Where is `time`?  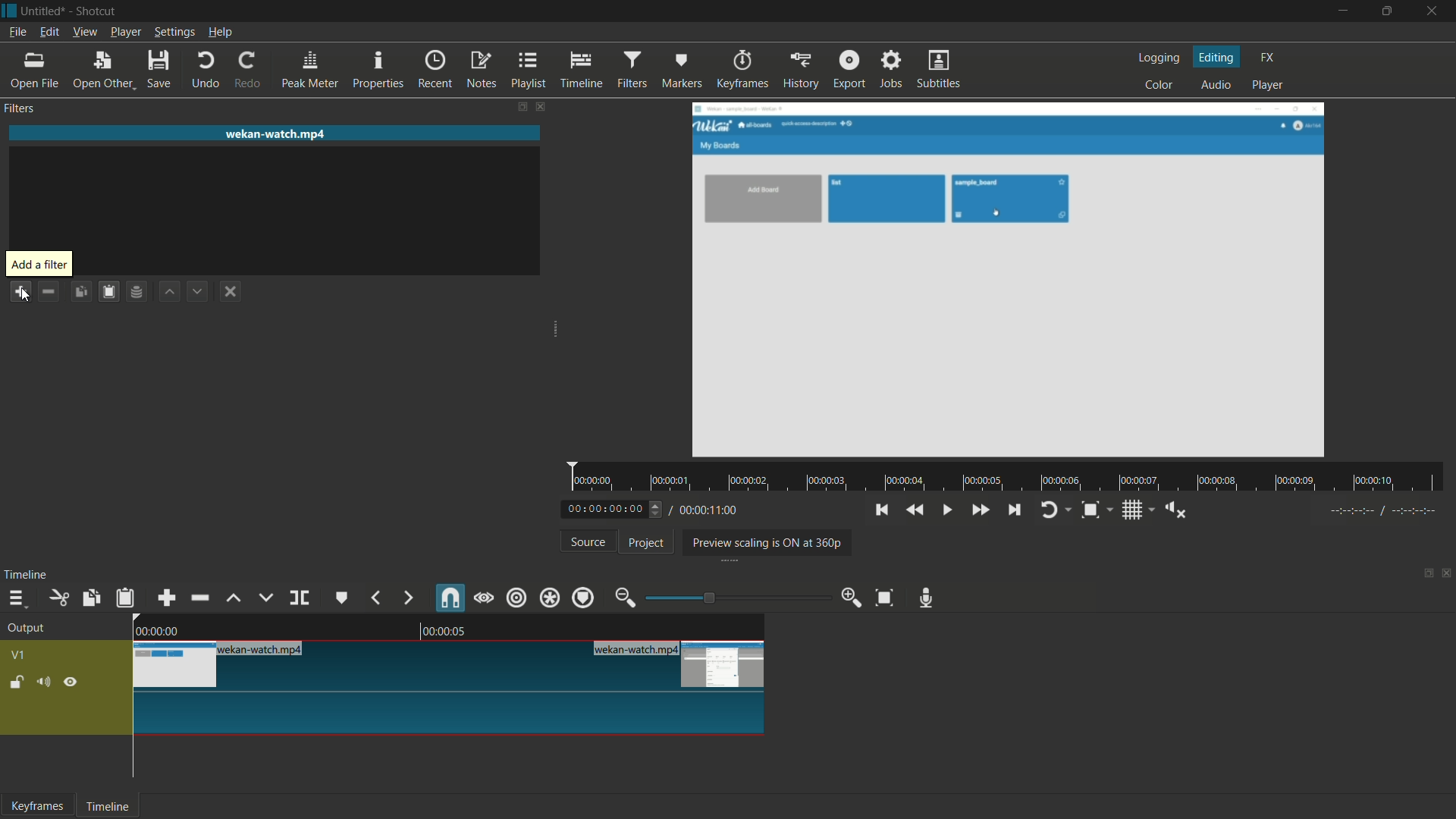 time is located at coordinates (1011, 478).